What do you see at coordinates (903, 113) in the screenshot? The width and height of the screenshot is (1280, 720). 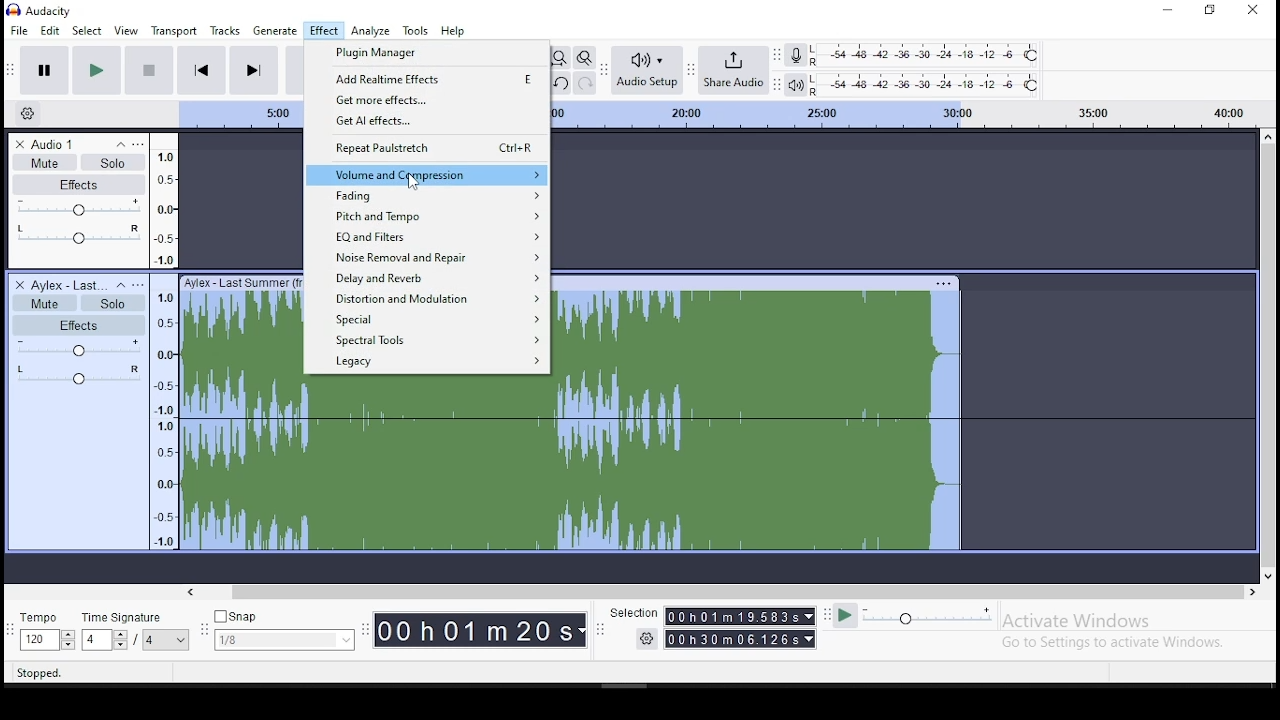 I see `track's timing` at bounding box center [903, 113].